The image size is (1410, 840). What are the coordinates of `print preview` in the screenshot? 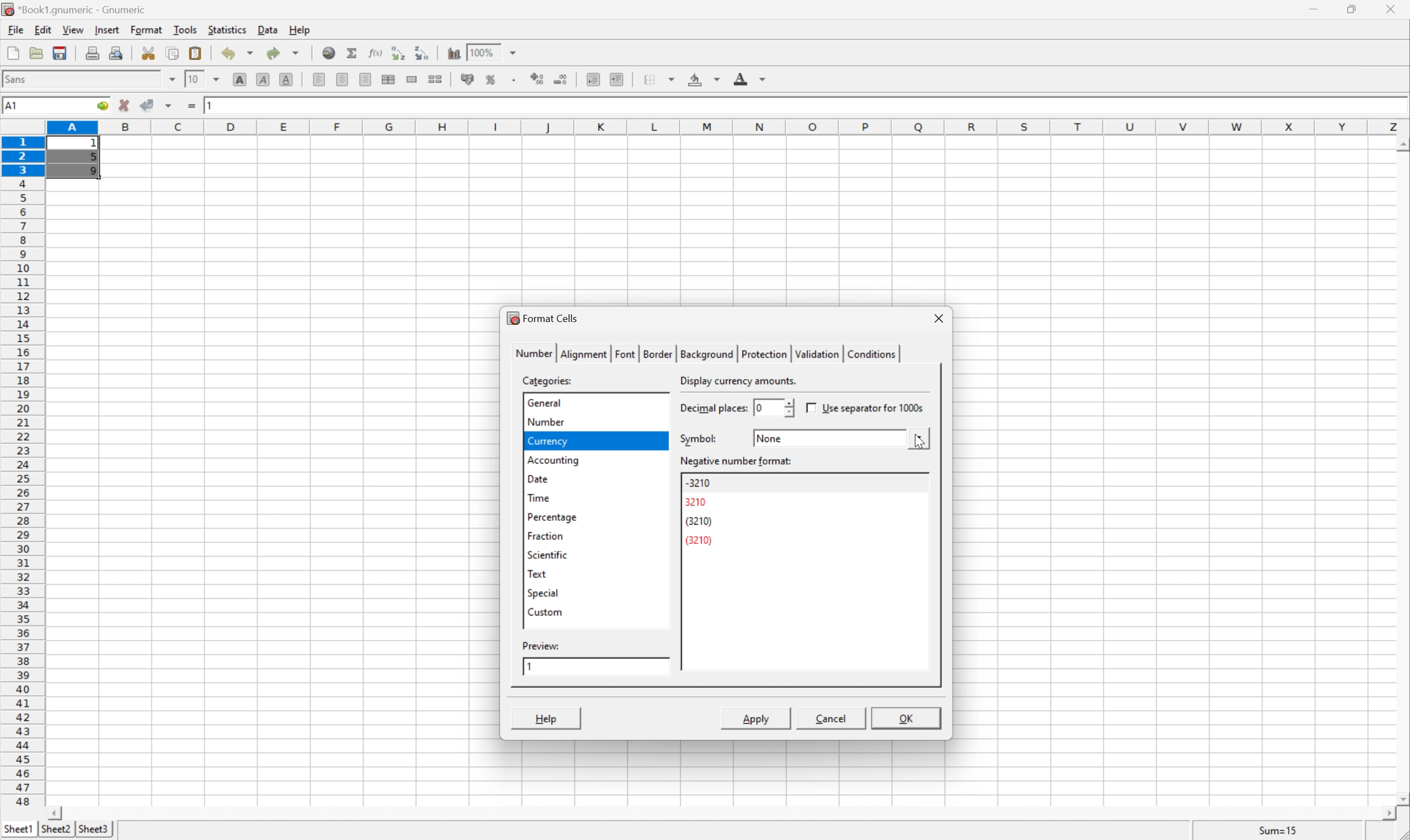 It's located at (116, 52).